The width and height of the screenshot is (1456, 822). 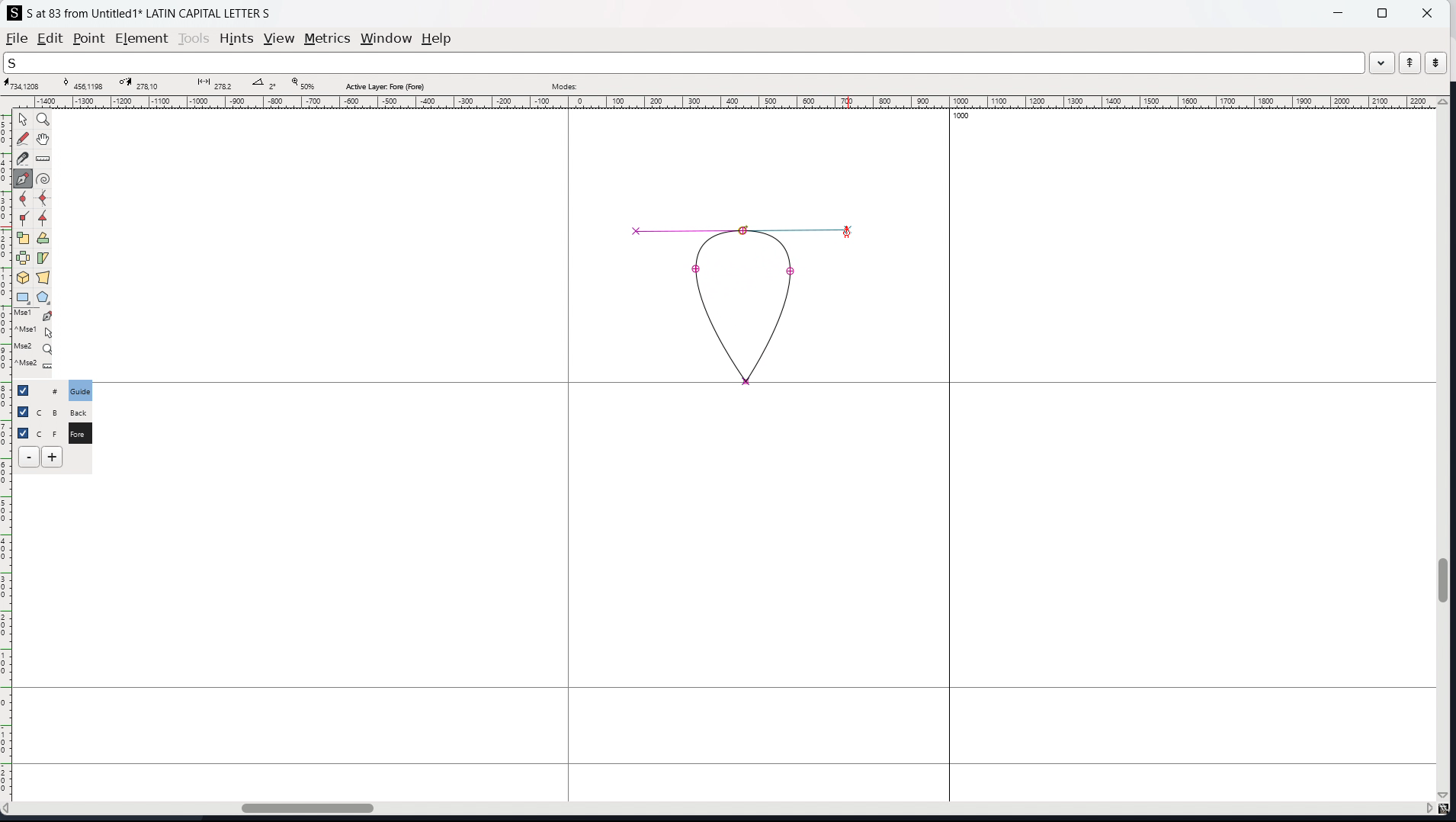 I want to click on S at 83 from Untitled 1 LATIN CAPITAL LETTER S, so click(x=149, y=12).